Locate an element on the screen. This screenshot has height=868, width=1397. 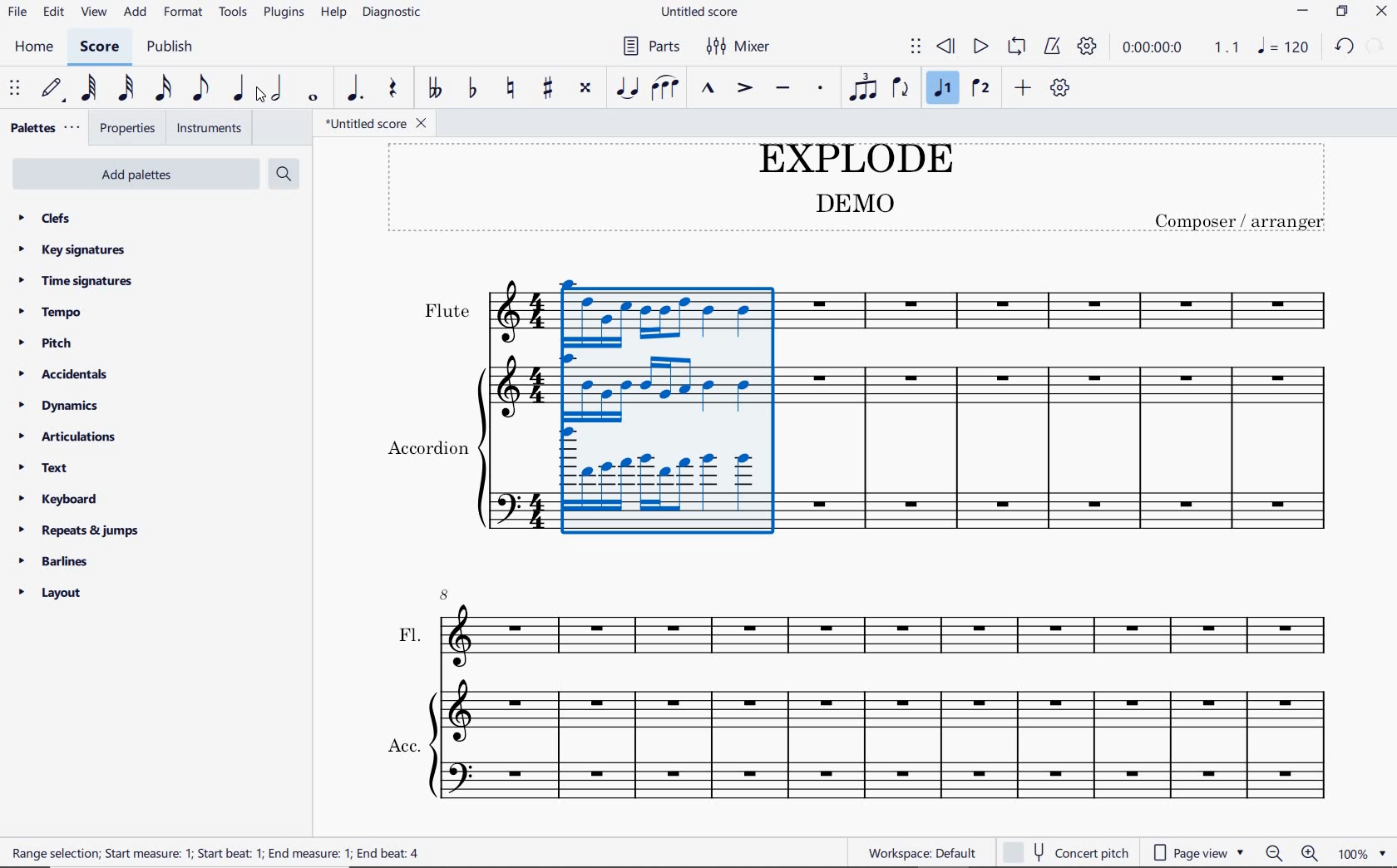
augmentation dot is located at coordinates (355, 87).